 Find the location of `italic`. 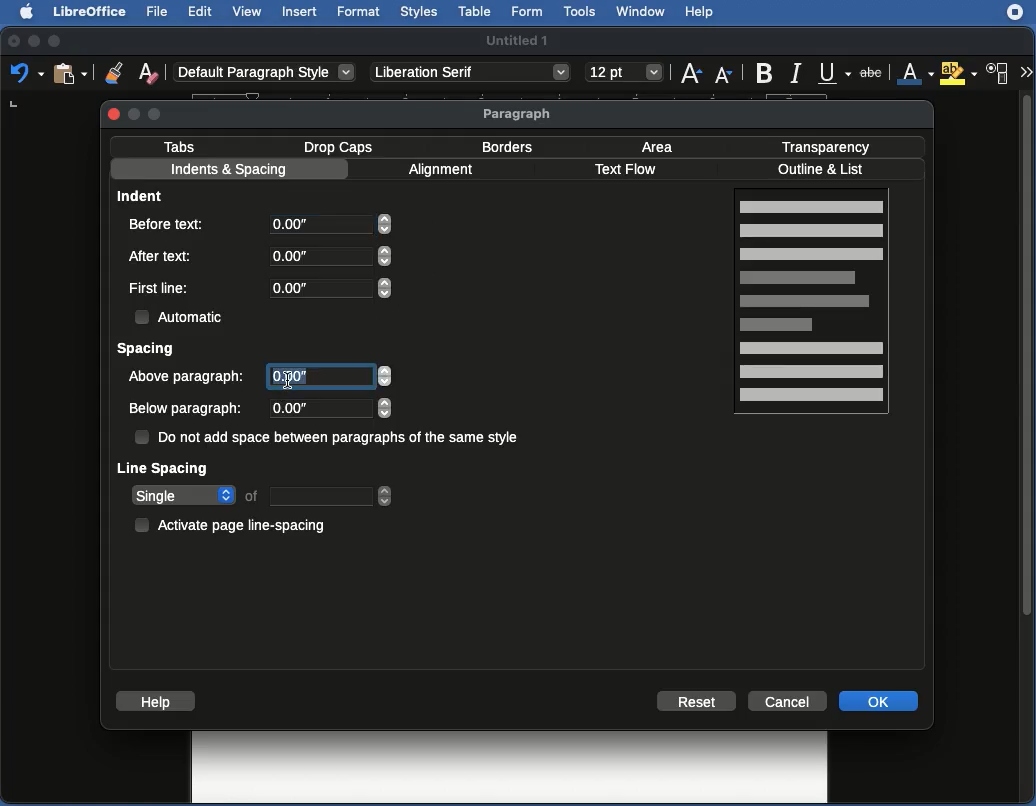

italic is located at coordinates (795, 71).